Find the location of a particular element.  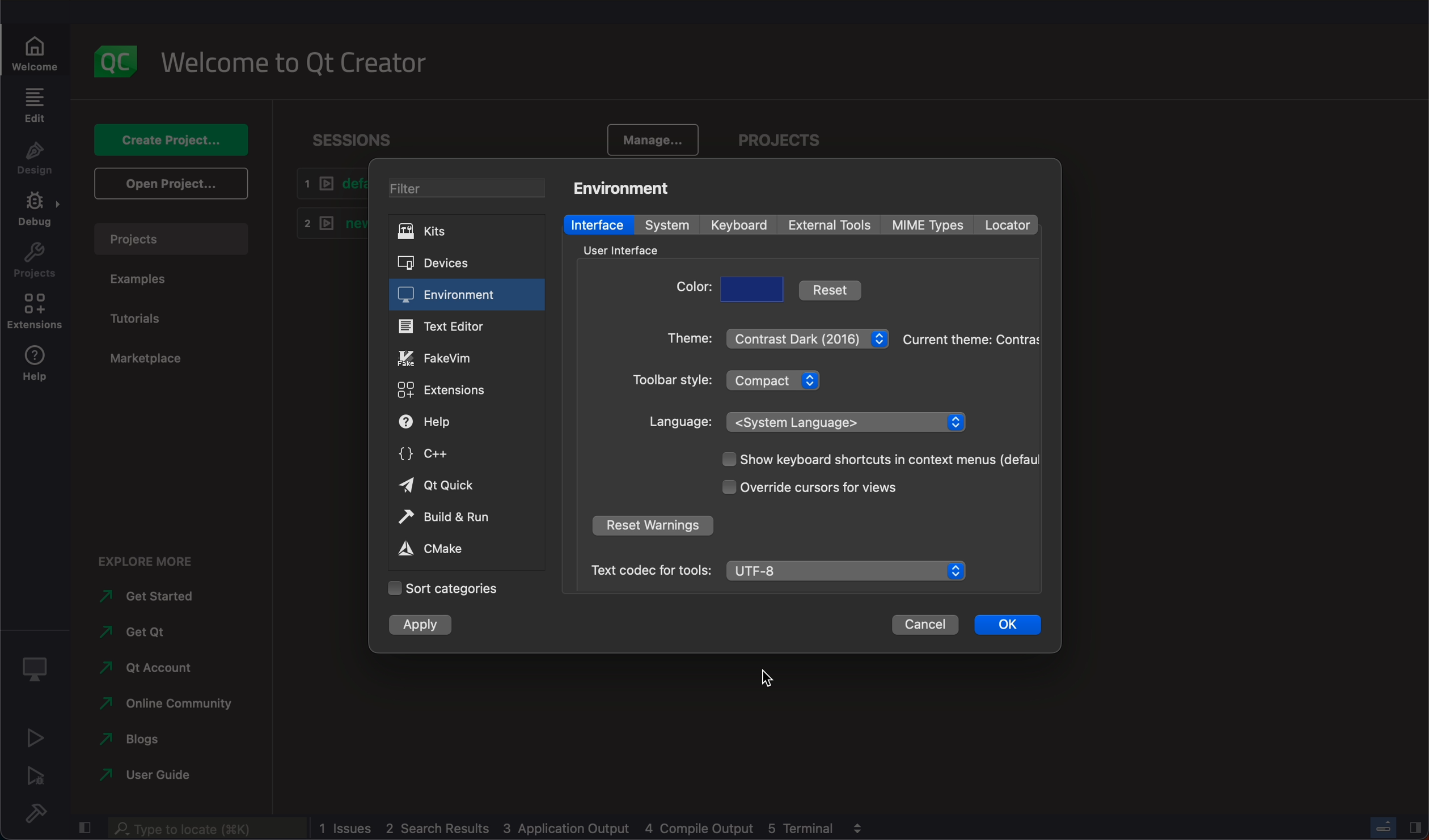

examples is located at coordinates (149, 281).